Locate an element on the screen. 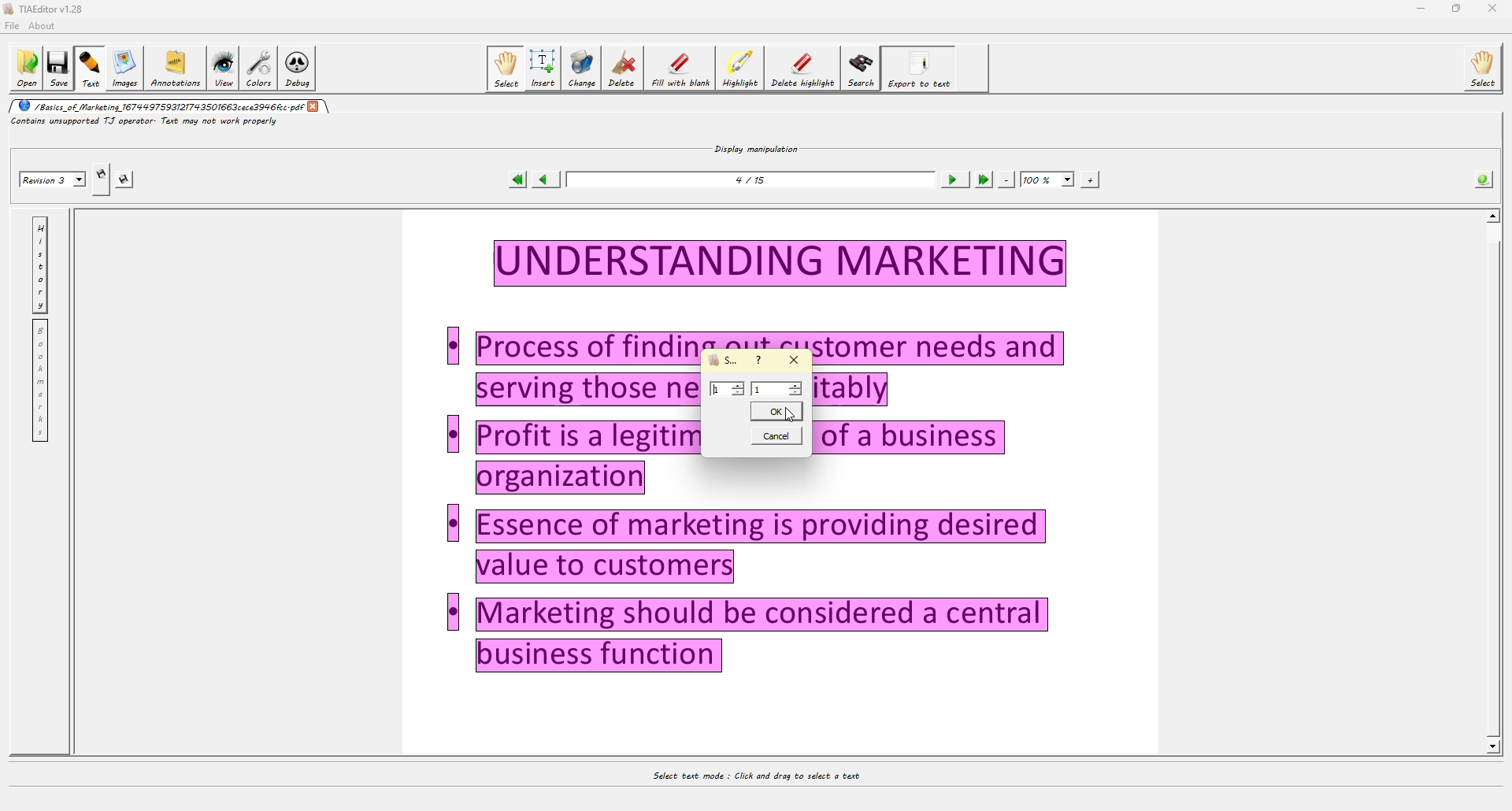 Image resolution: width=1512 pixels, height=811 pixels.  is located at coordinates (783, 263).